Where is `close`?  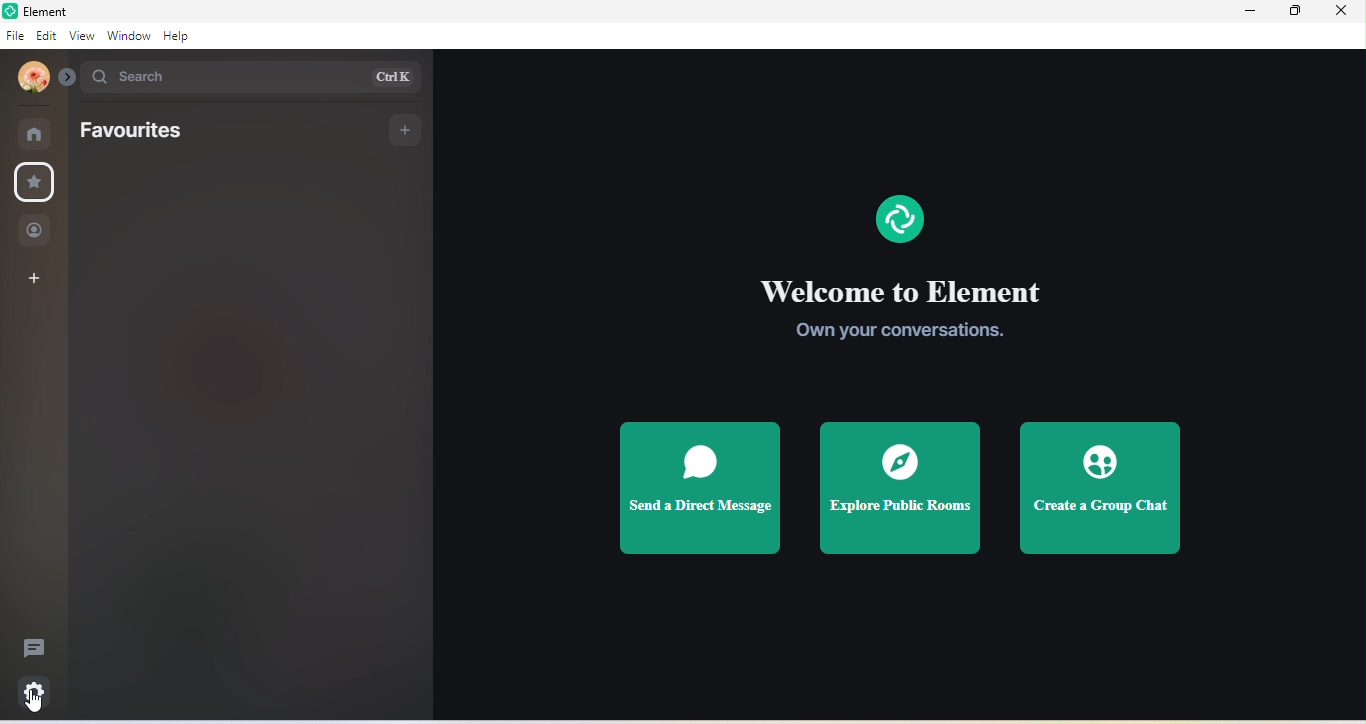 close is located at coordinates (1346, 16).